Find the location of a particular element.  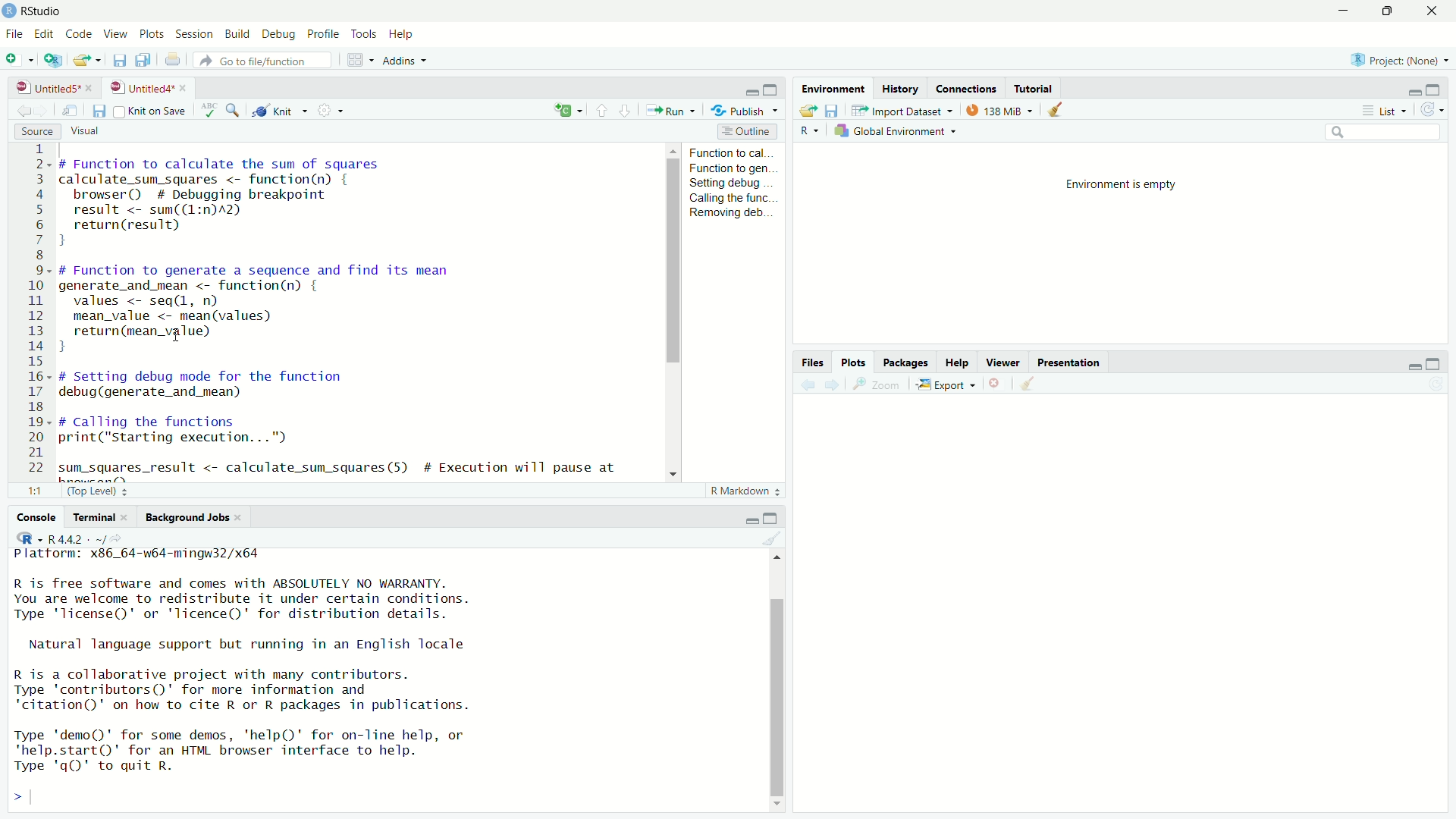

prompt cursor is located at coordinates (12, 799).